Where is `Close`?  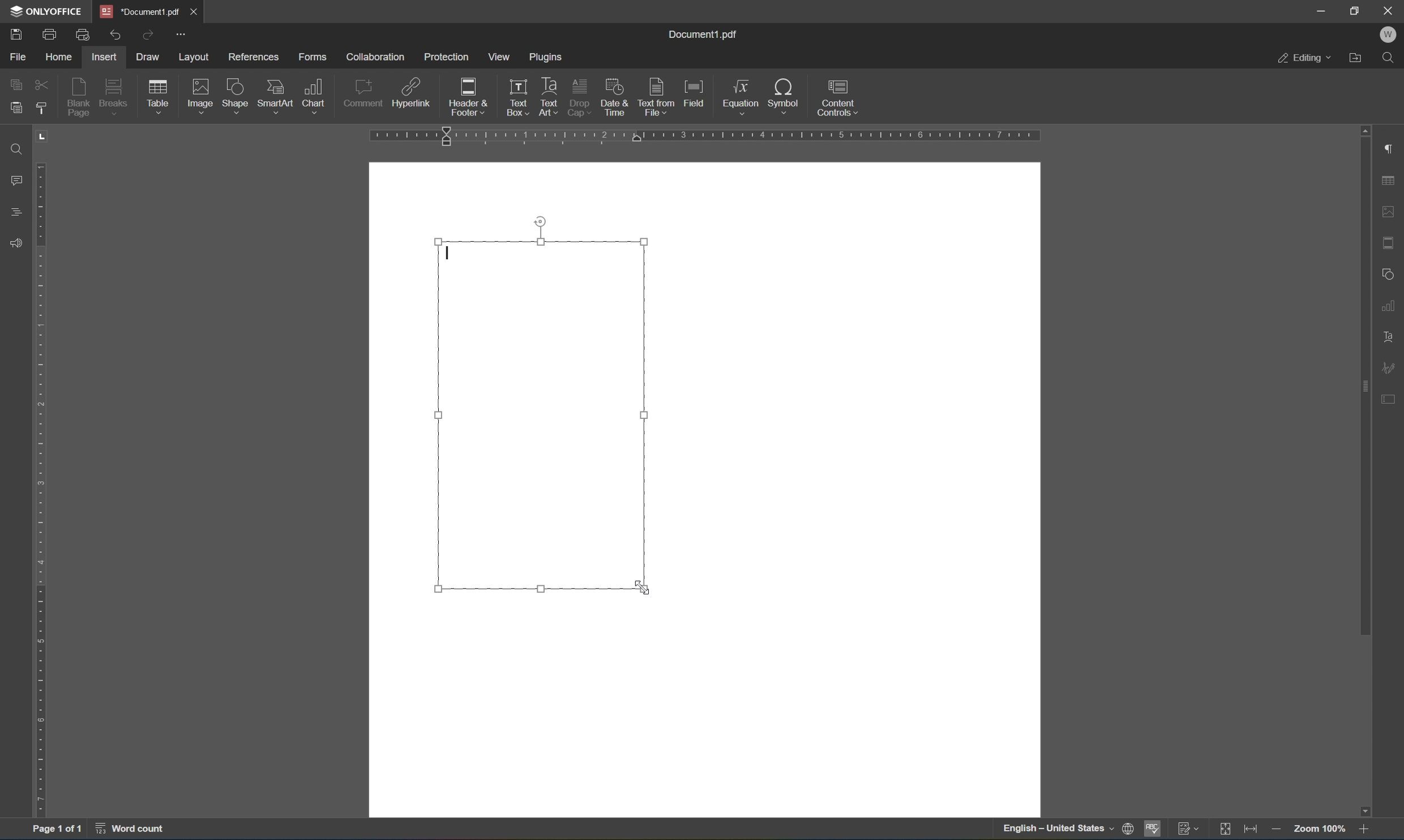 Close is located at coordinates (1392, 11).